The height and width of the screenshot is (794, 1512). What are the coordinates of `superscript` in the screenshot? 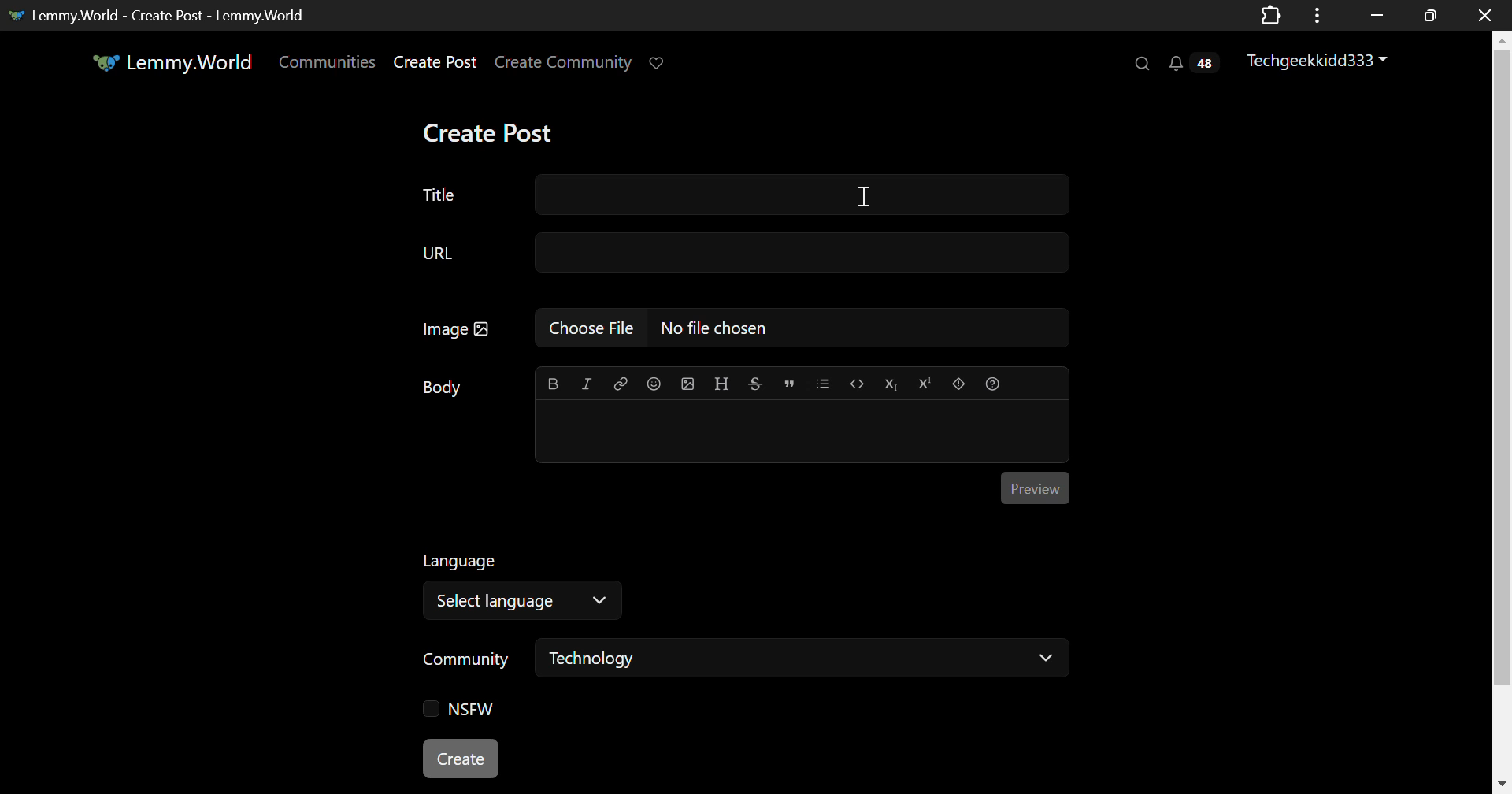 It's located at (925, 384).